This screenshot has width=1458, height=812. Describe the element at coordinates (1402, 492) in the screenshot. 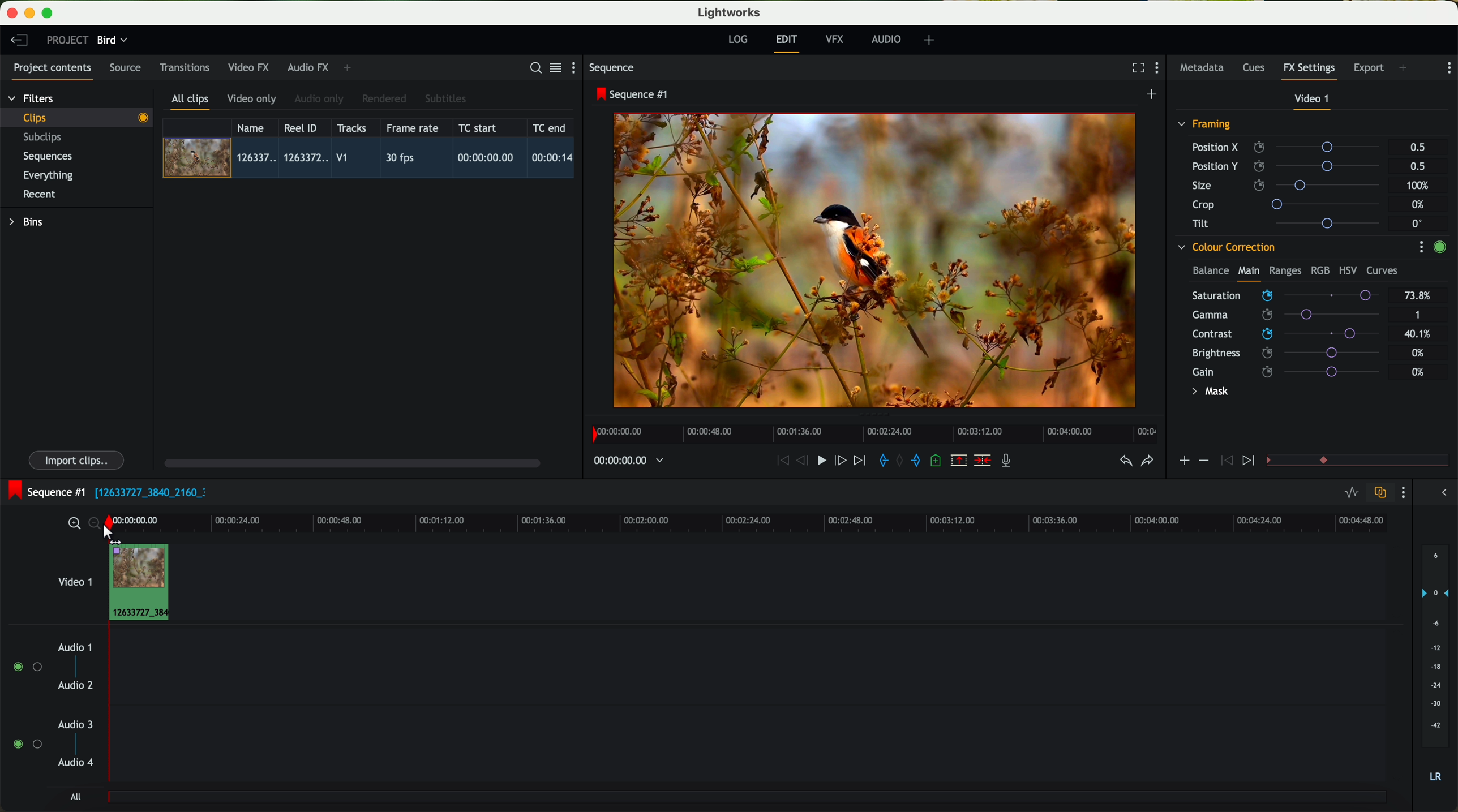

I see `show settings menu` at that location.